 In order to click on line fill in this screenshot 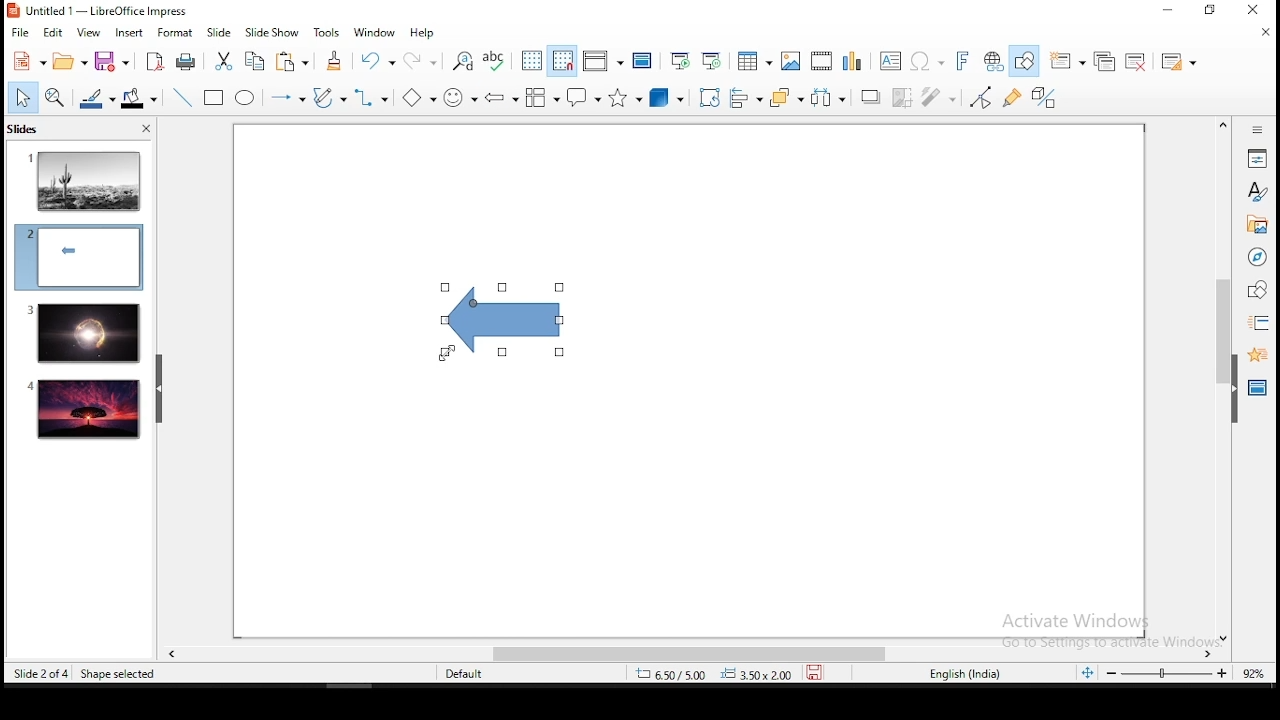, I will do `click(95, 99)`.